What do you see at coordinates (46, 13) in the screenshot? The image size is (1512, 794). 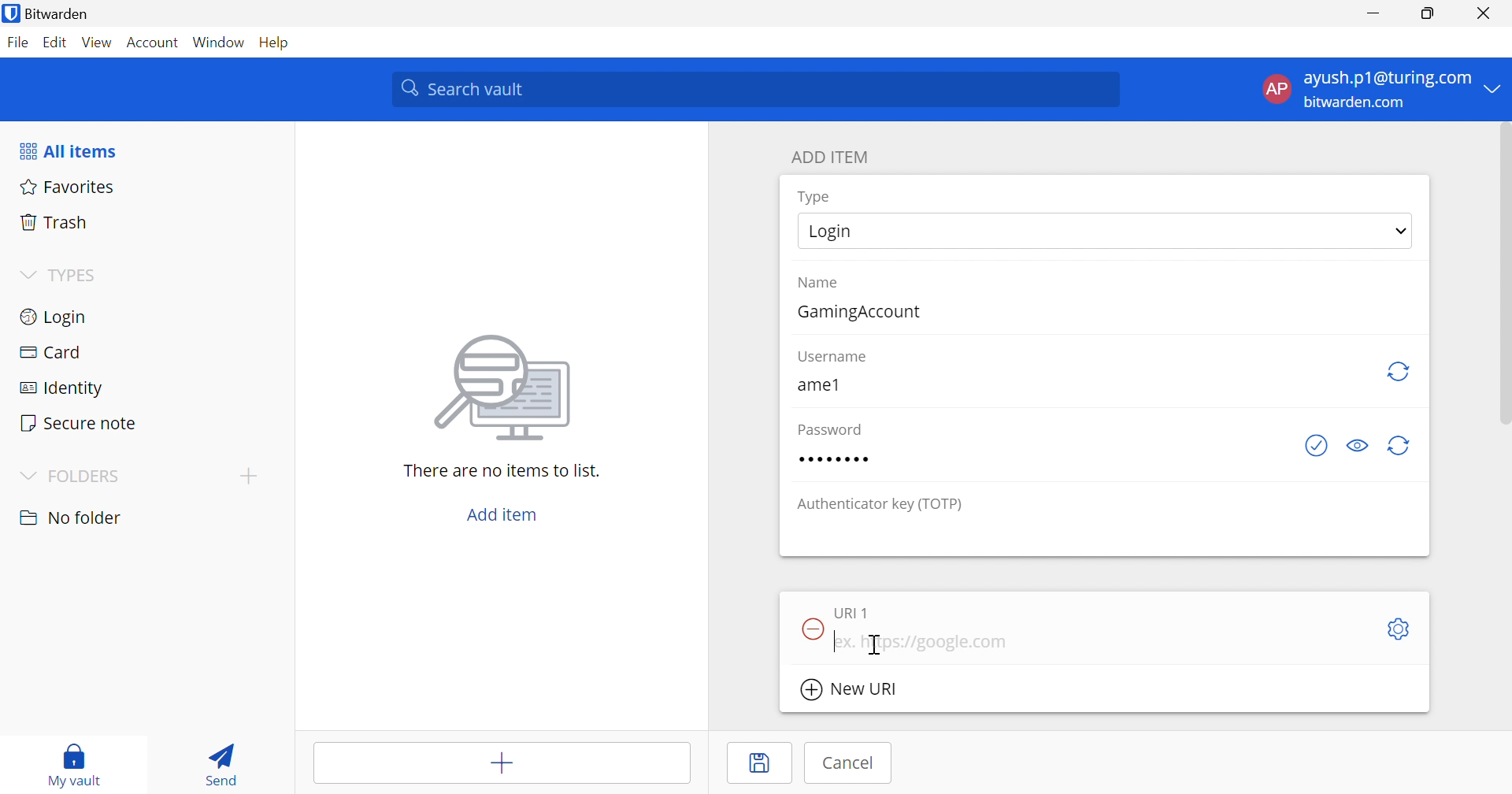 I see `Bitwarden` at bounding box center [46, 13].